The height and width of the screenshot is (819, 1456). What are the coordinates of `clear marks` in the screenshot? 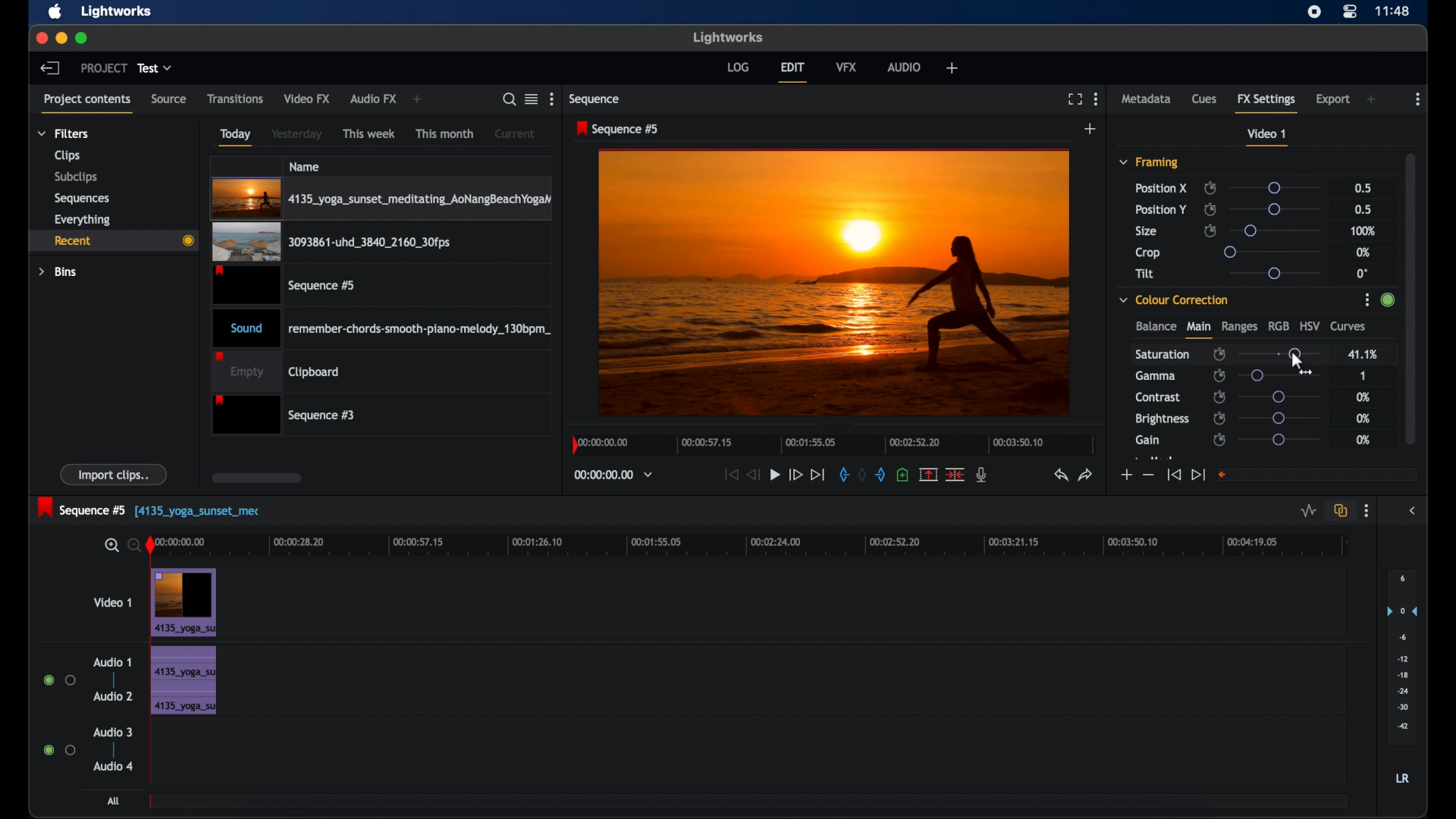 It's located at (863, 475).